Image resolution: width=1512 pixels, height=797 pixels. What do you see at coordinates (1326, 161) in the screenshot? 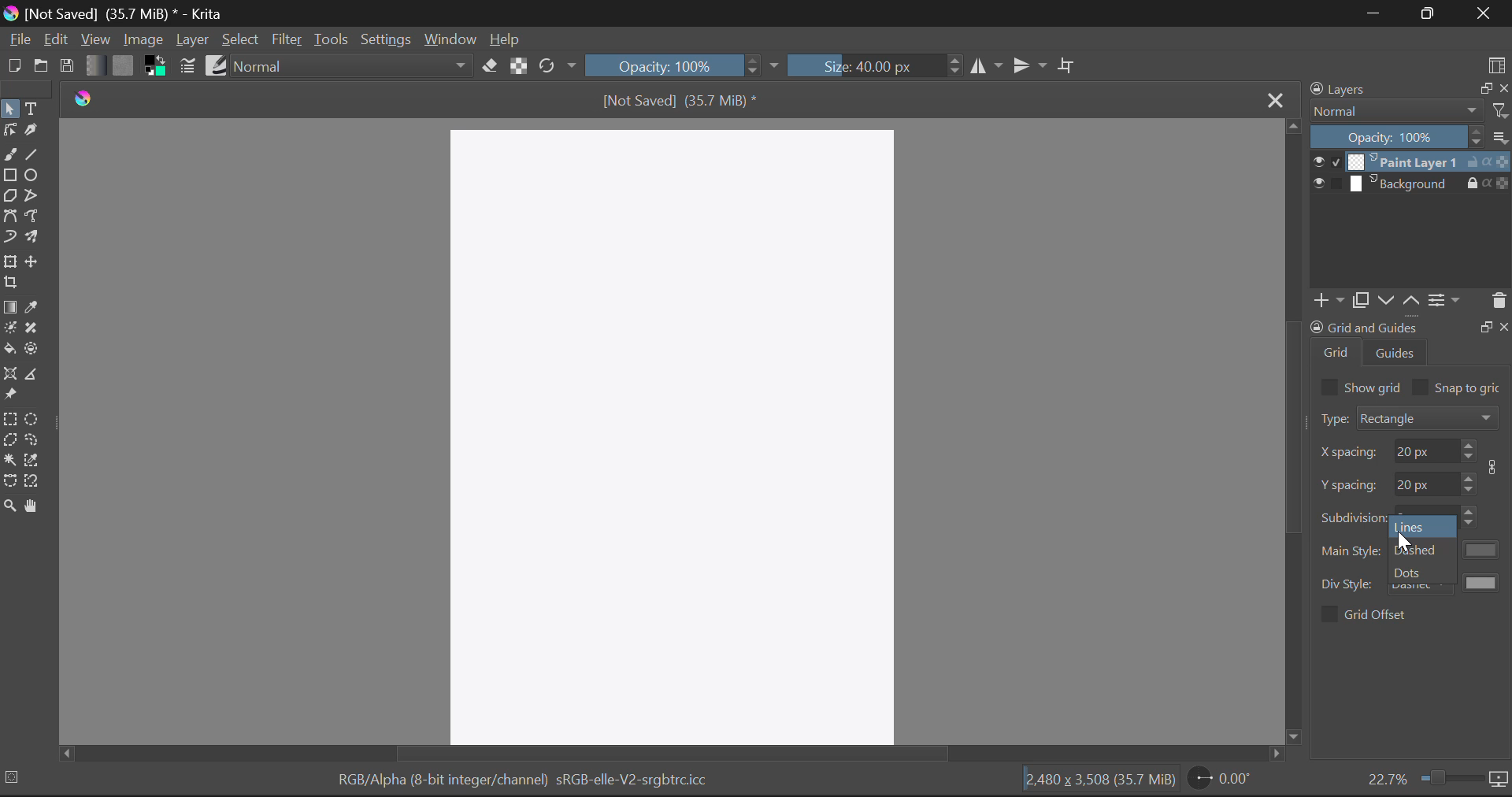
I see `show/hide` at bounding box center [1326, 161].